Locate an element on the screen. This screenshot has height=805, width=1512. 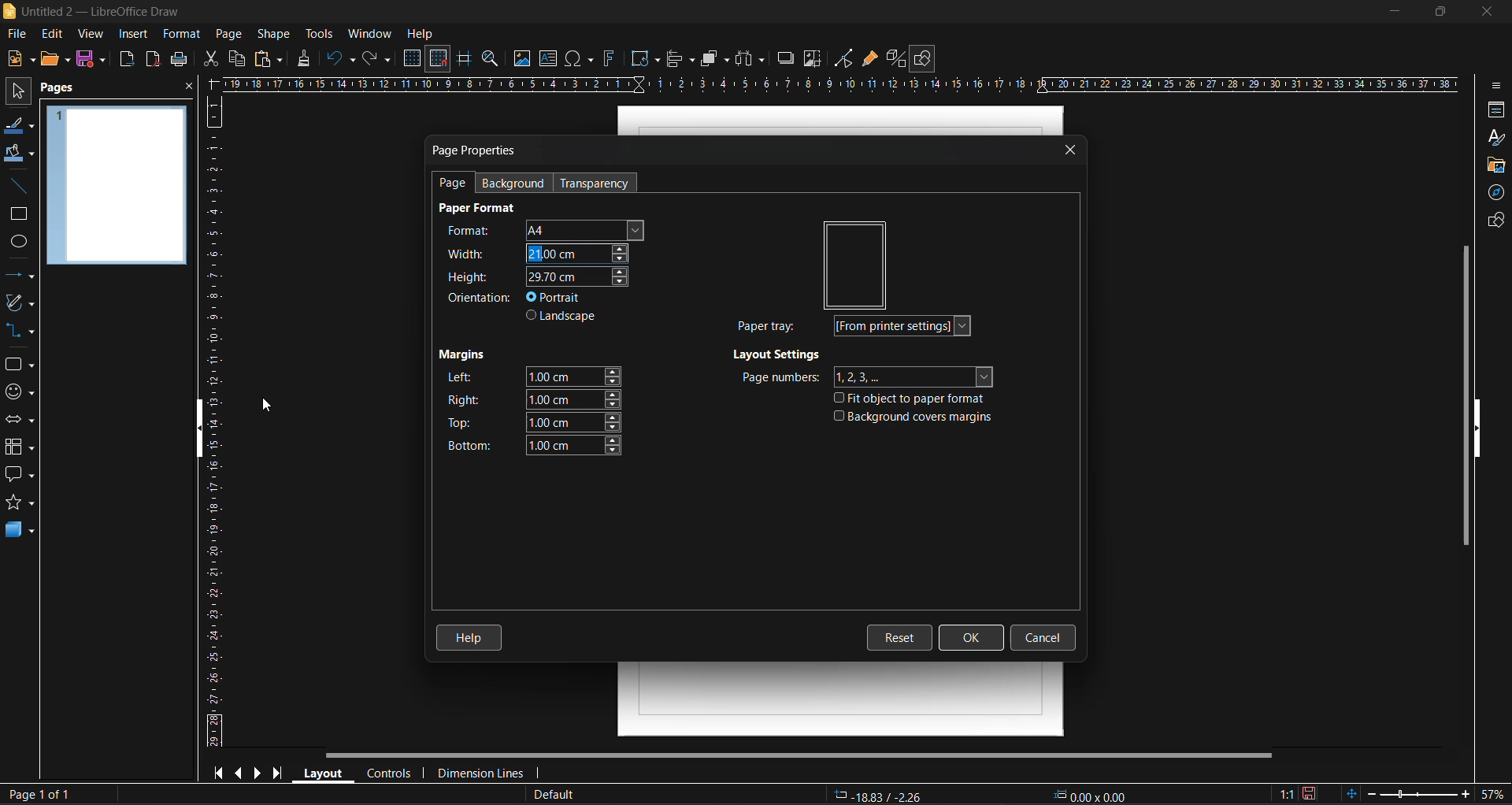
redo is located at coordinates (378, 58).